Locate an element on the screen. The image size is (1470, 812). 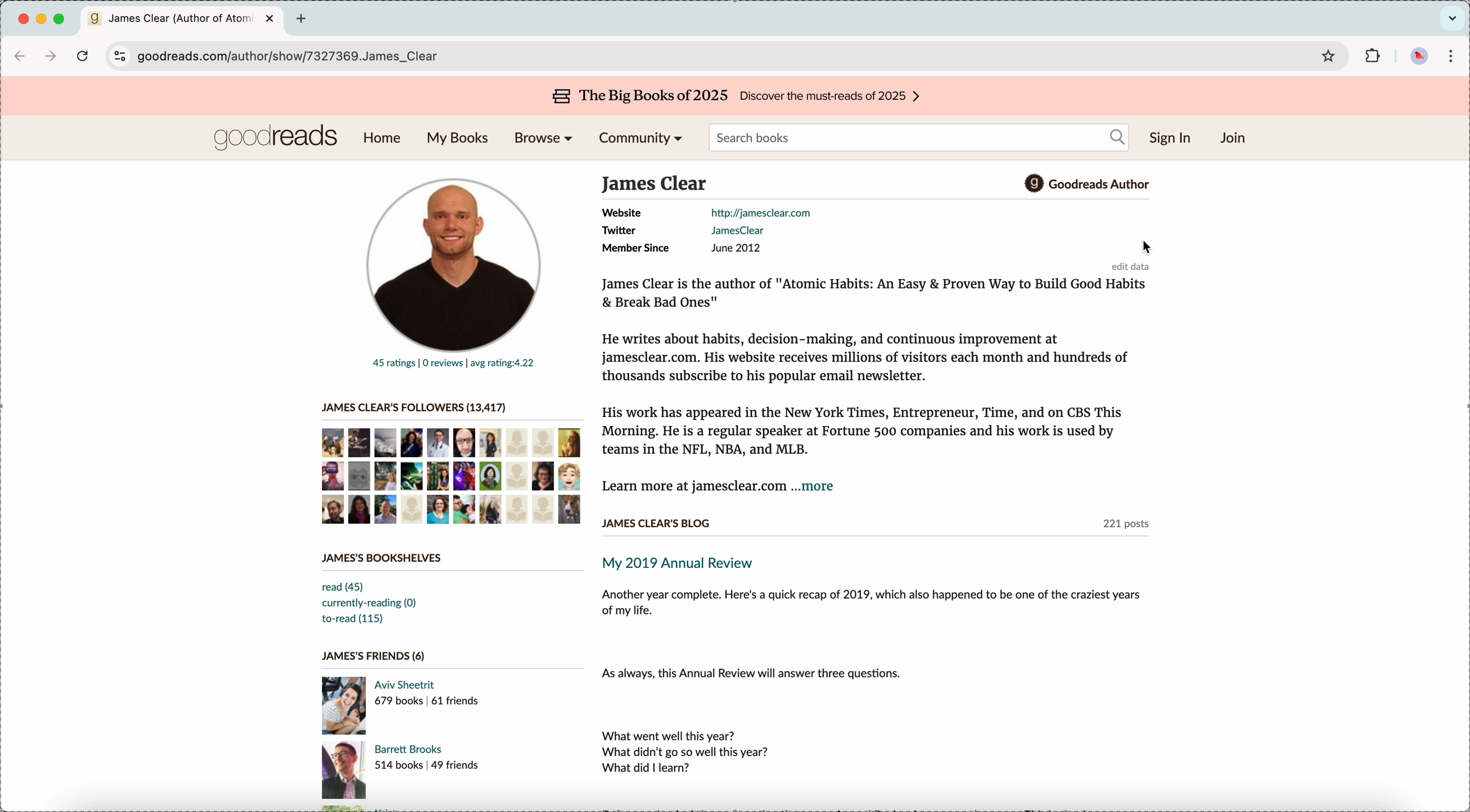
search tabs is located at coordinates (1452, 17).